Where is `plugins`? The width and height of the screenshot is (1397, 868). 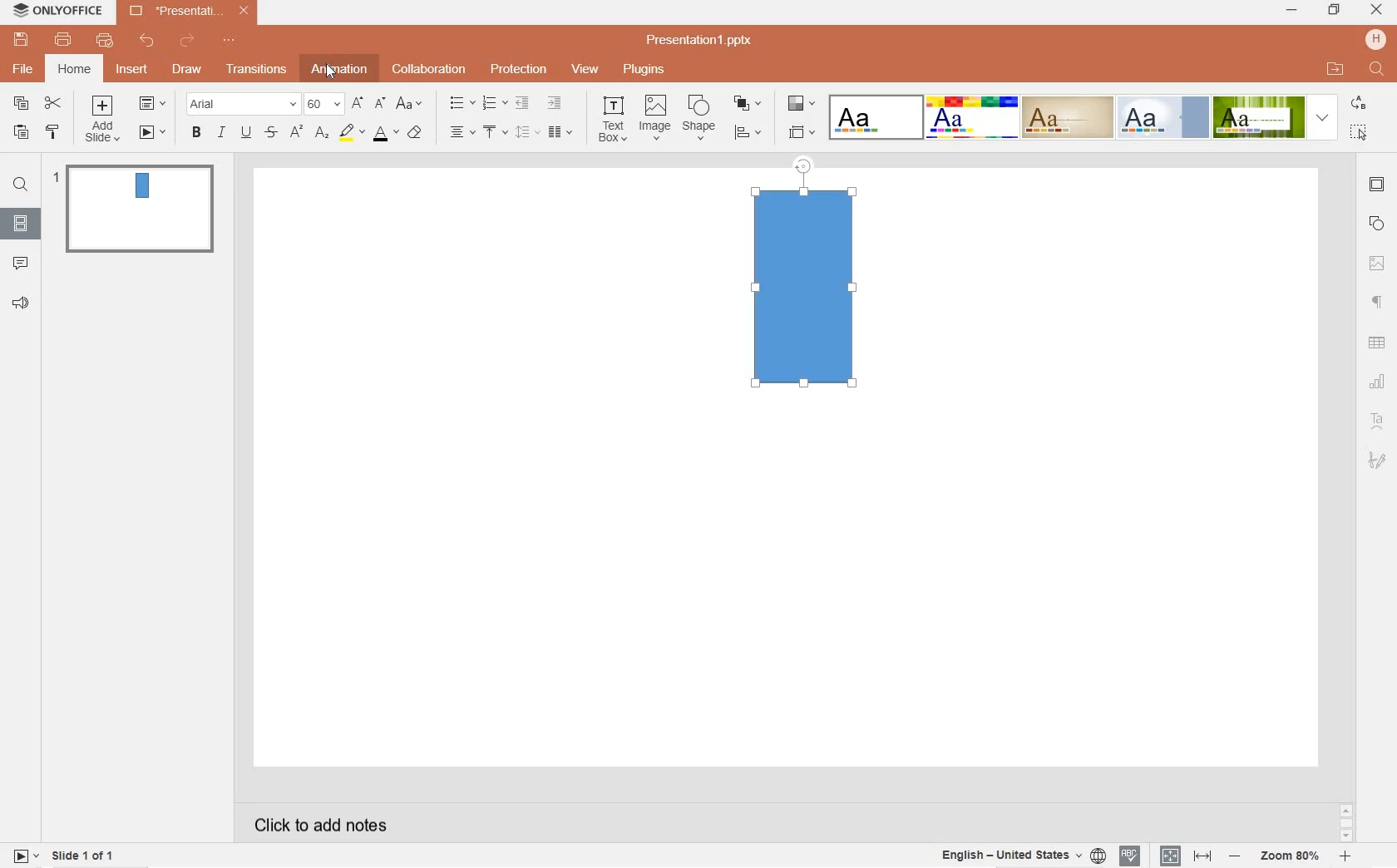 plugins is located at coordinates (643, 69).